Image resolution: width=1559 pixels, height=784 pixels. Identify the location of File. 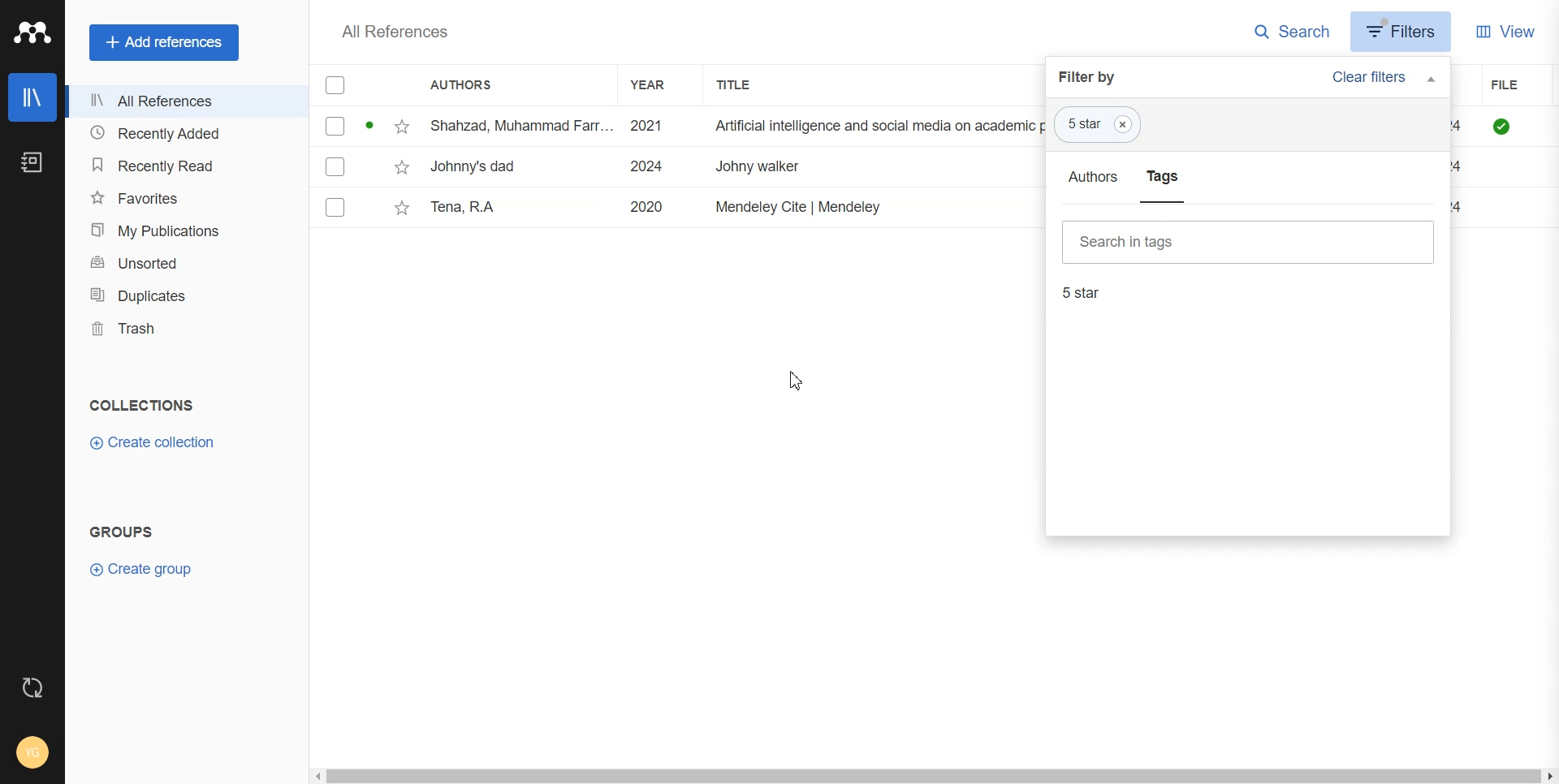
(1496, 84).